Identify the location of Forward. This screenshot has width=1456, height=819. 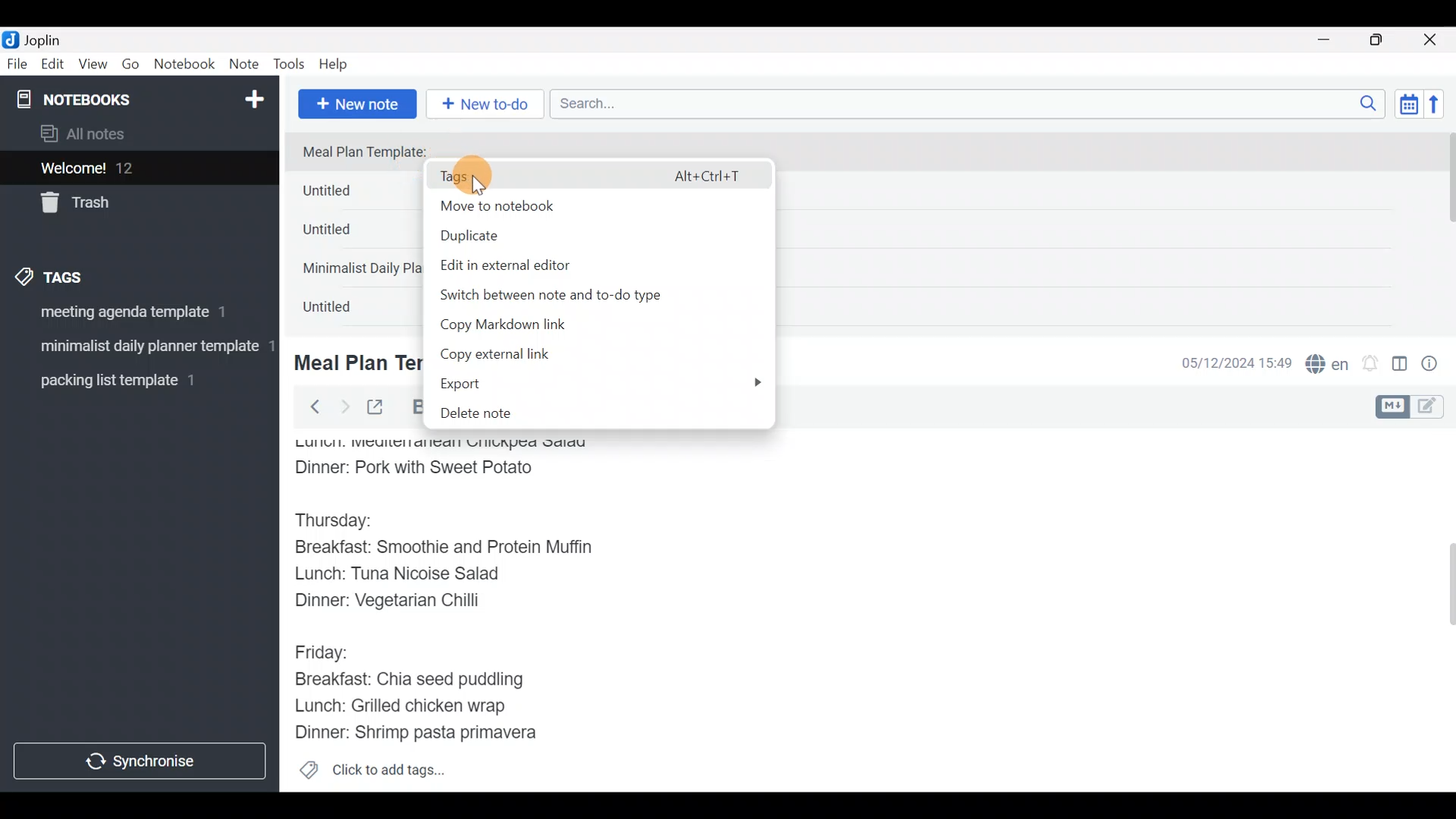
(344, 406).